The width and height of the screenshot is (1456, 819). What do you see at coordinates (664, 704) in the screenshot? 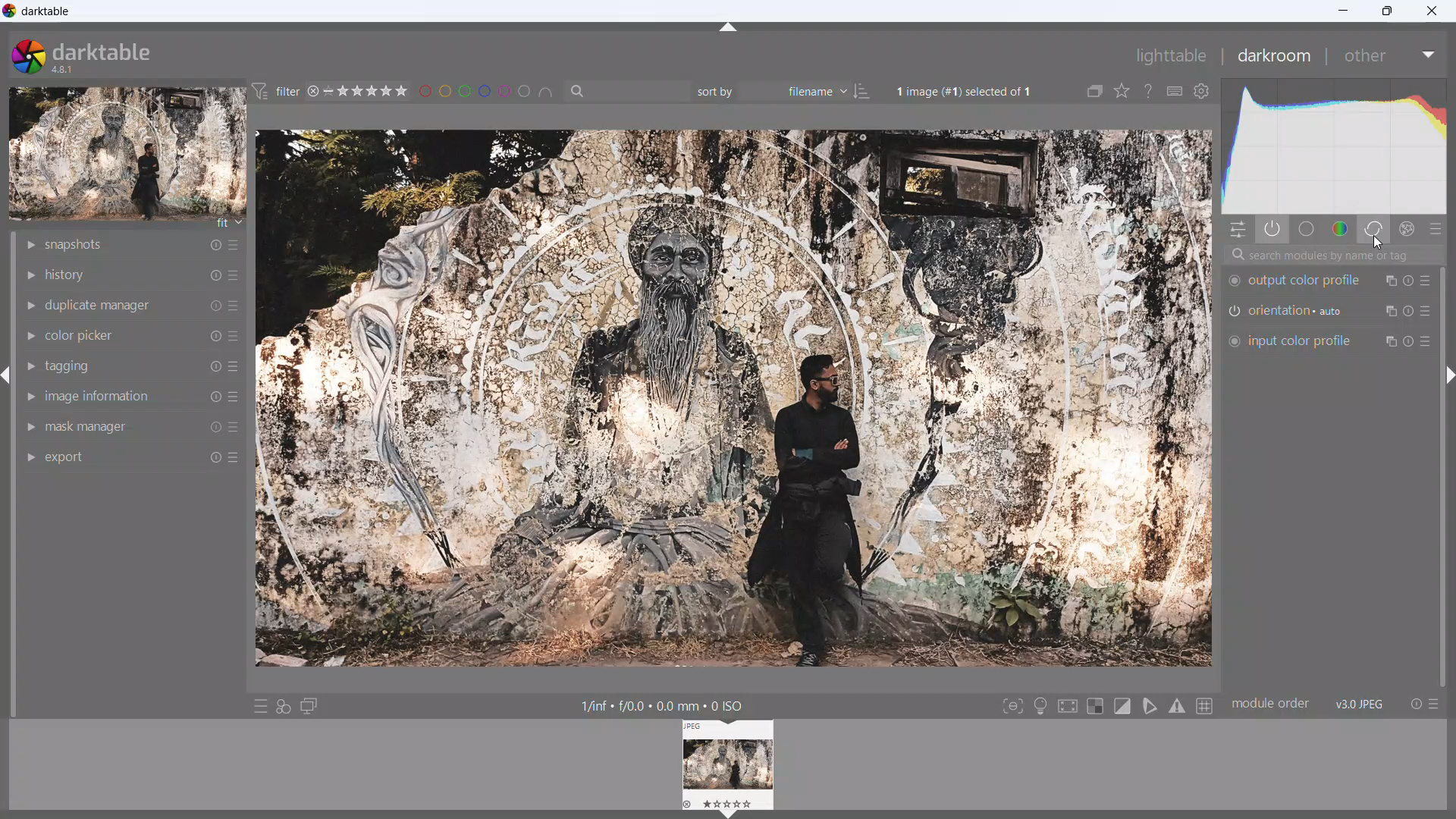
I see `1/inf + /0.0 + 0.0 mm + 0 ISO` at bounding box center [664, 704].